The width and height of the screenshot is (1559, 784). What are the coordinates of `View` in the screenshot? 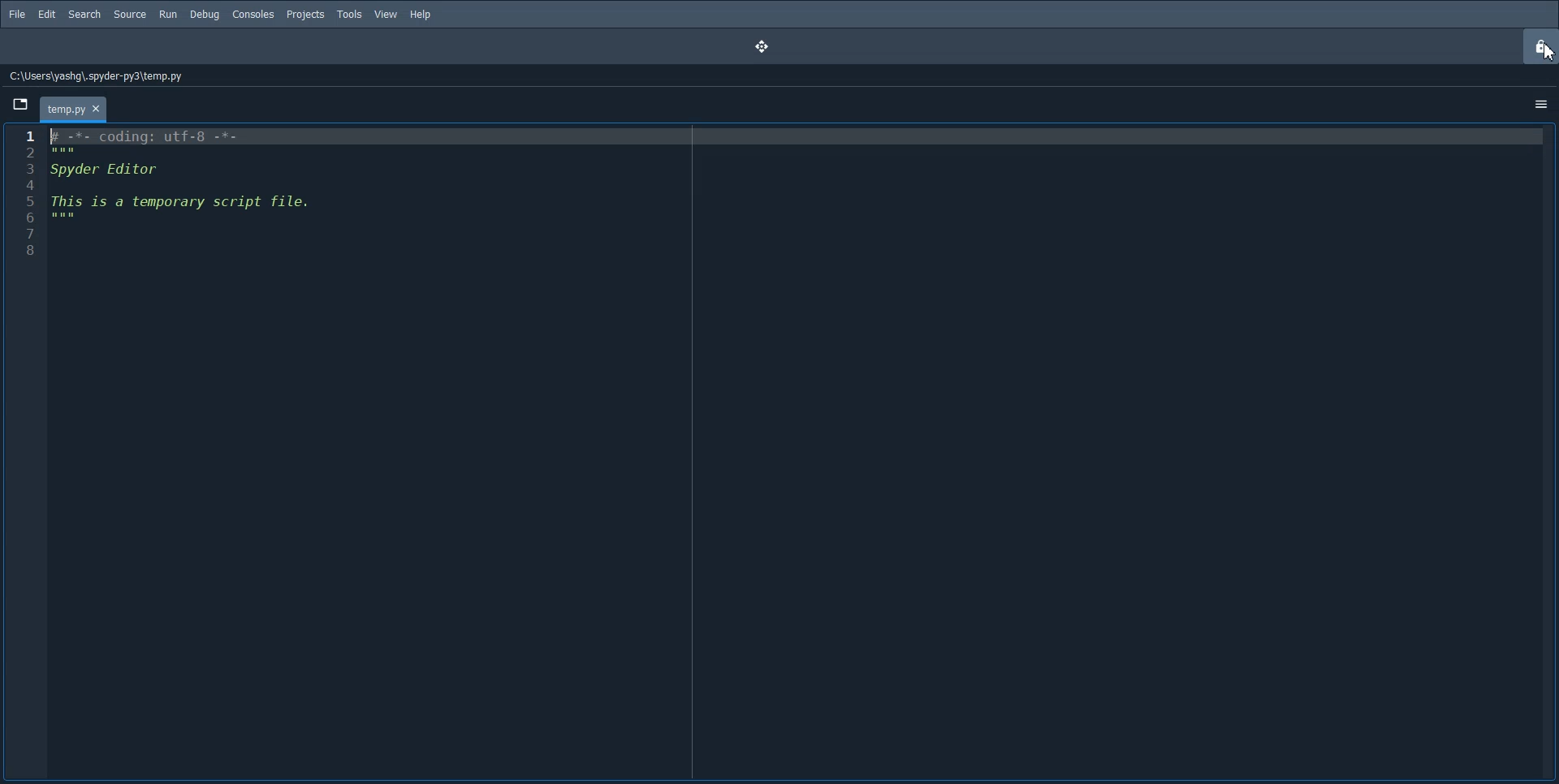 It's located at (387, 15).